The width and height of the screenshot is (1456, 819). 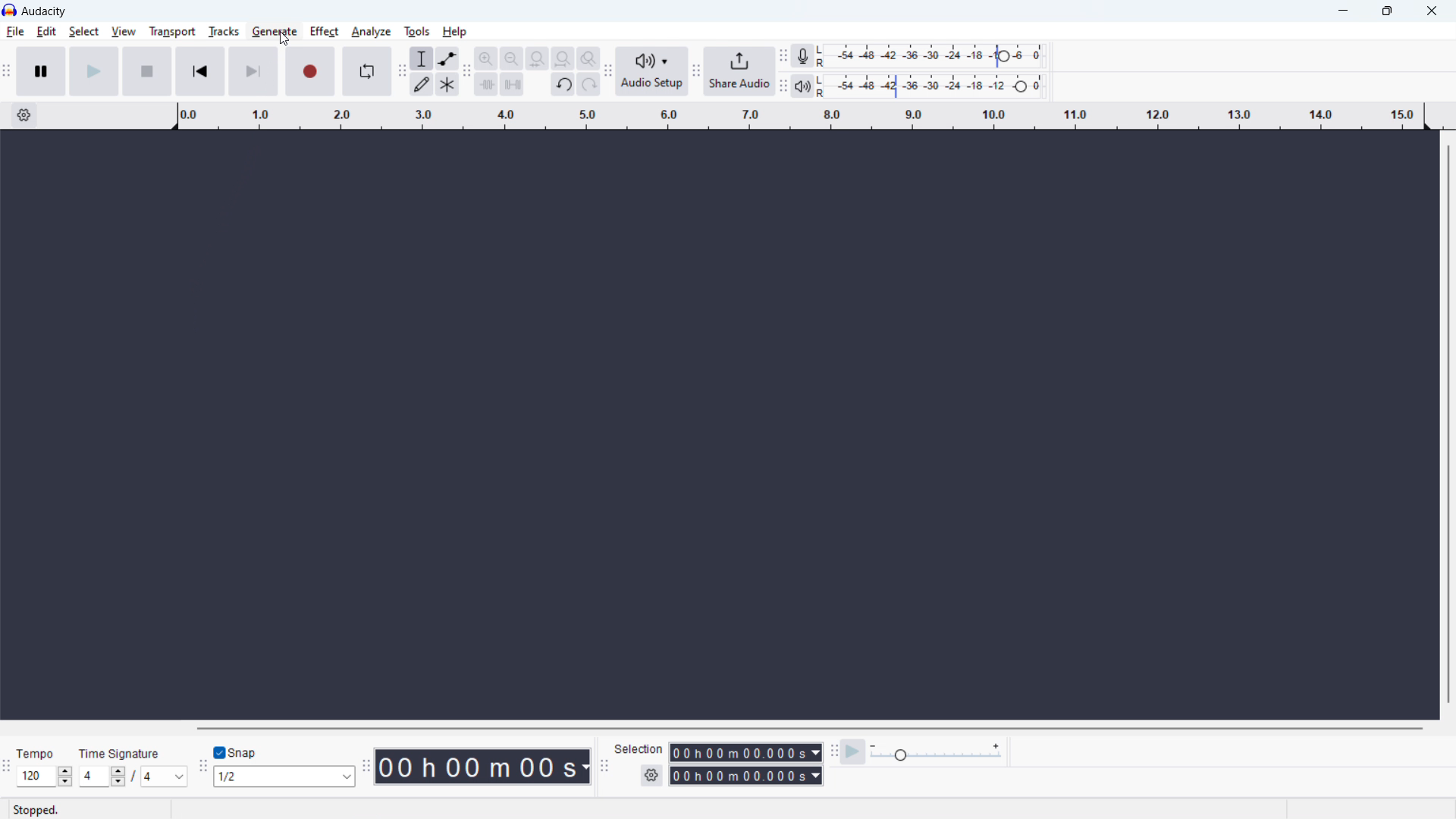 I want to click on zoom in, so click(x=487, y=58).